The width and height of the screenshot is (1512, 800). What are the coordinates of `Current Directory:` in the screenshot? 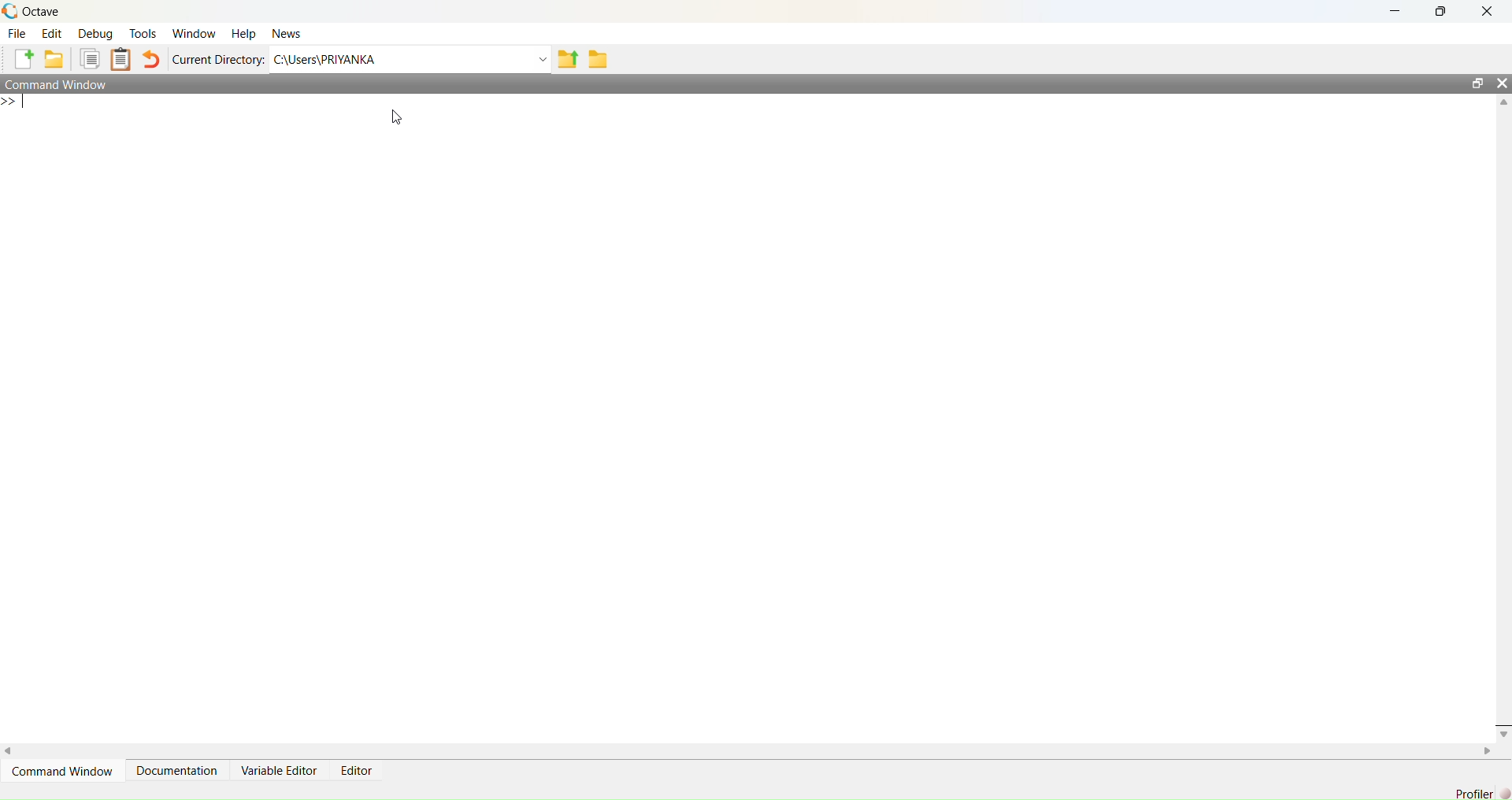 It's located at (218, 61).